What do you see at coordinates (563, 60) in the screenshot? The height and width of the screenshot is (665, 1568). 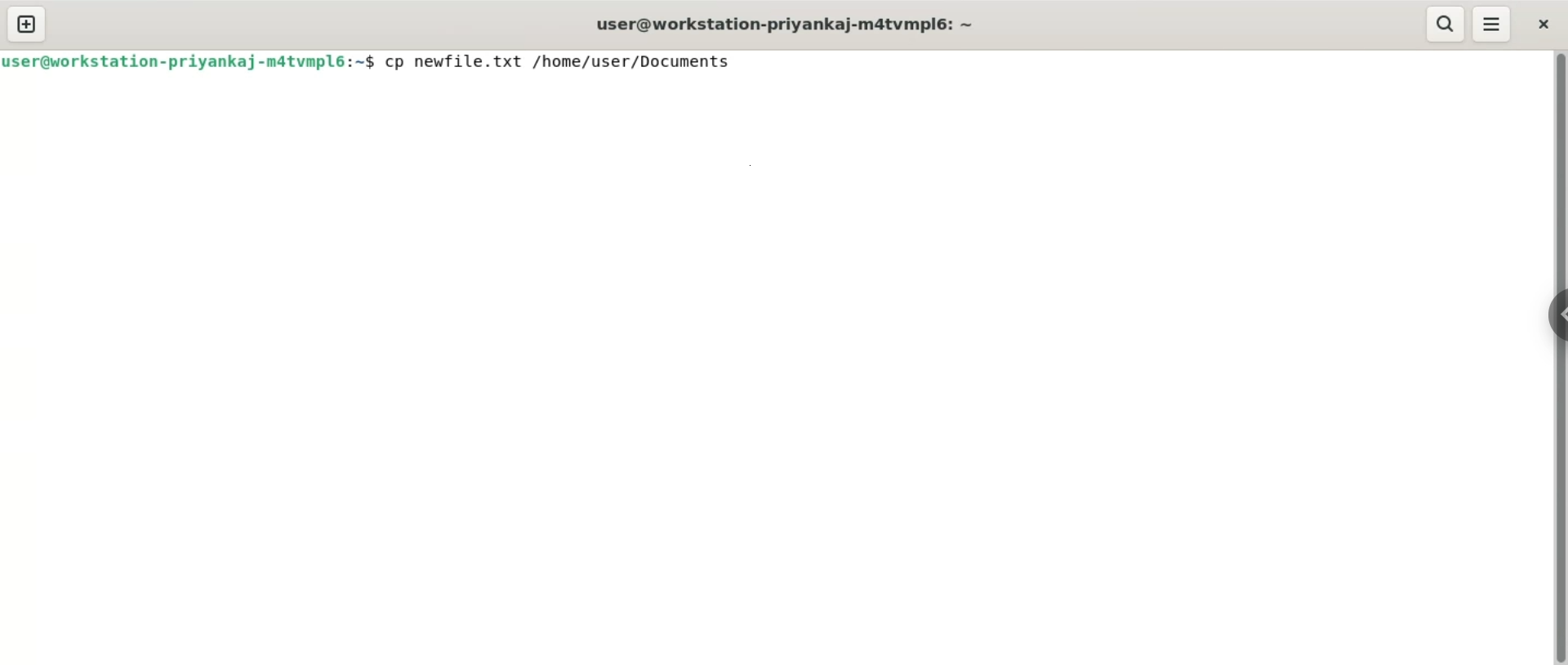 I see `cp newfile.txt /home/user/Documents` at bounding box center [563, 60].